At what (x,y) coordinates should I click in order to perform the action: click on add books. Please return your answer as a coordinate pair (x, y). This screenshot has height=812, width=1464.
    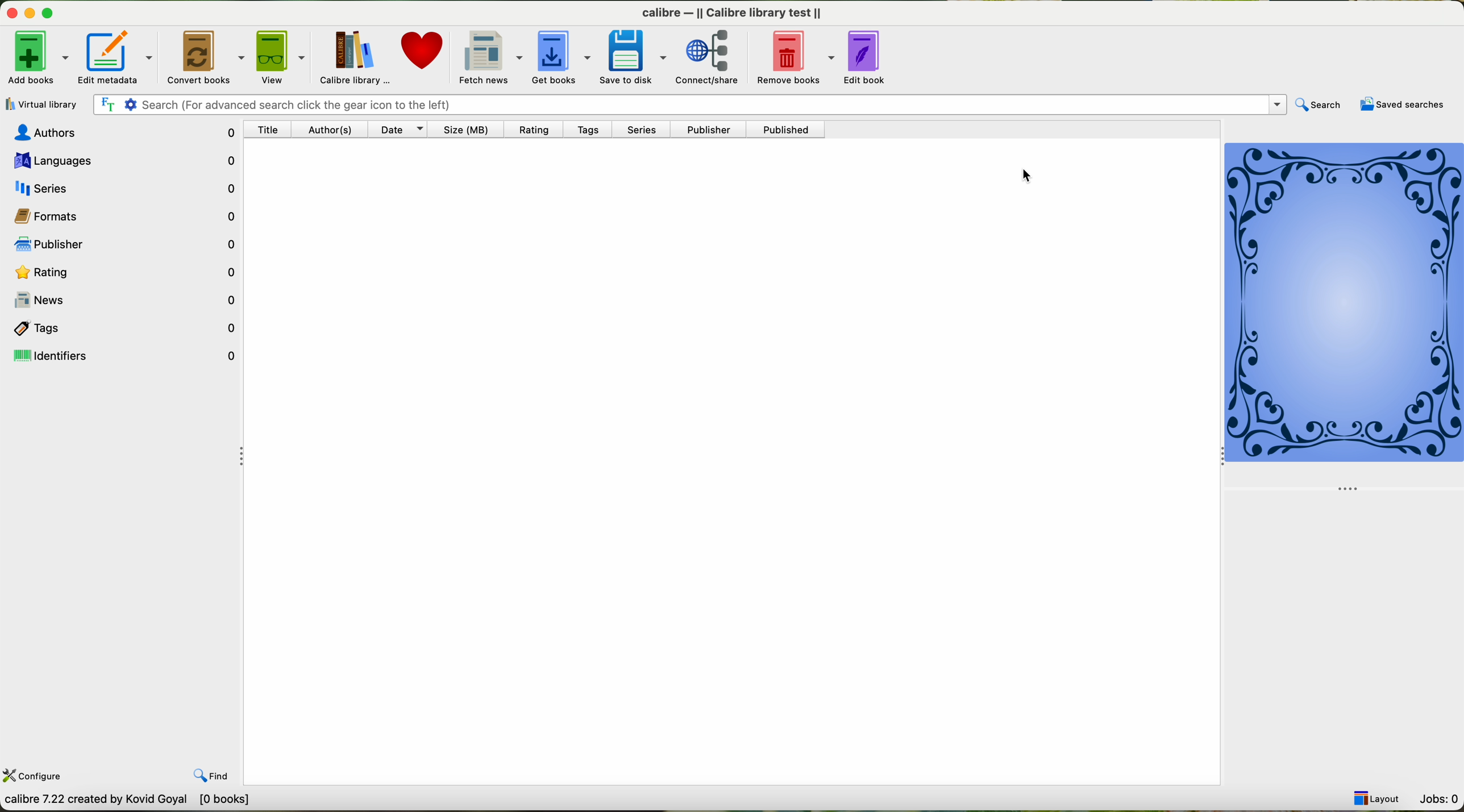
    Looking at the image, I should click on (36, 60).